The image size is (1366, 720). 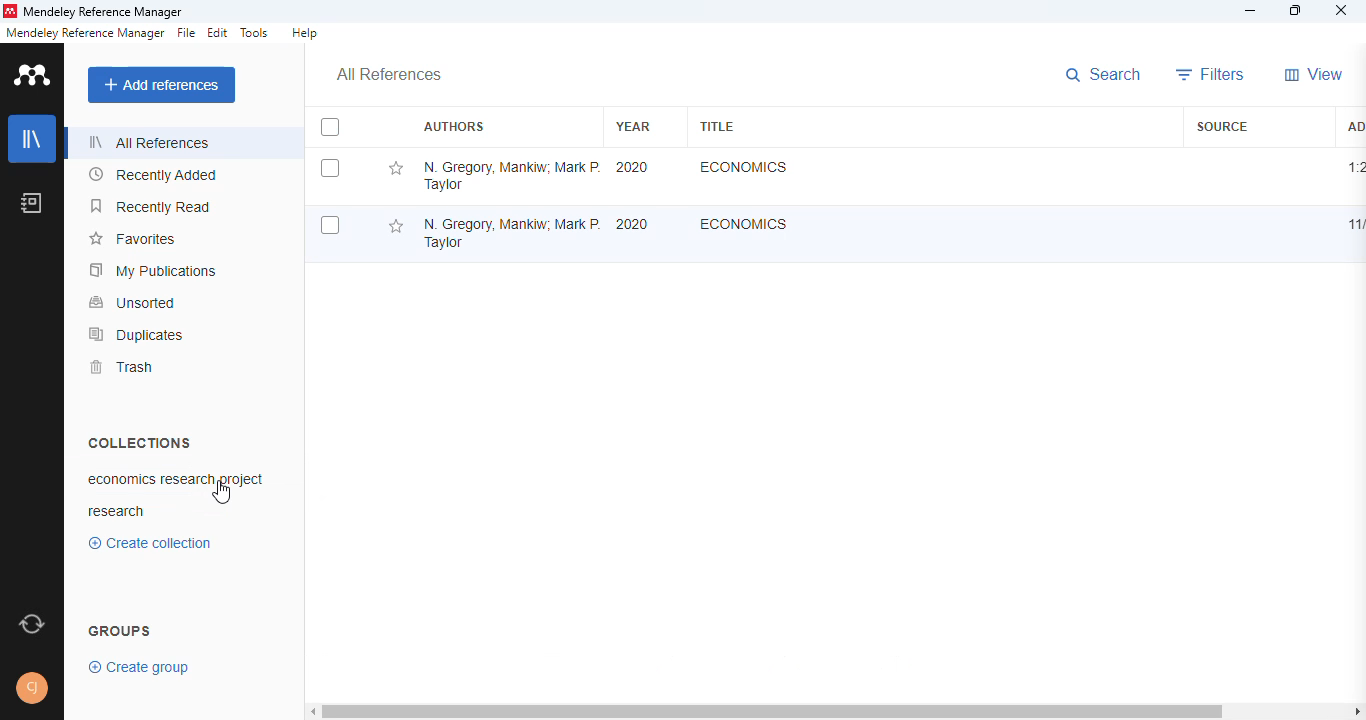 I want to click on logo, so click(x=34, y=74).